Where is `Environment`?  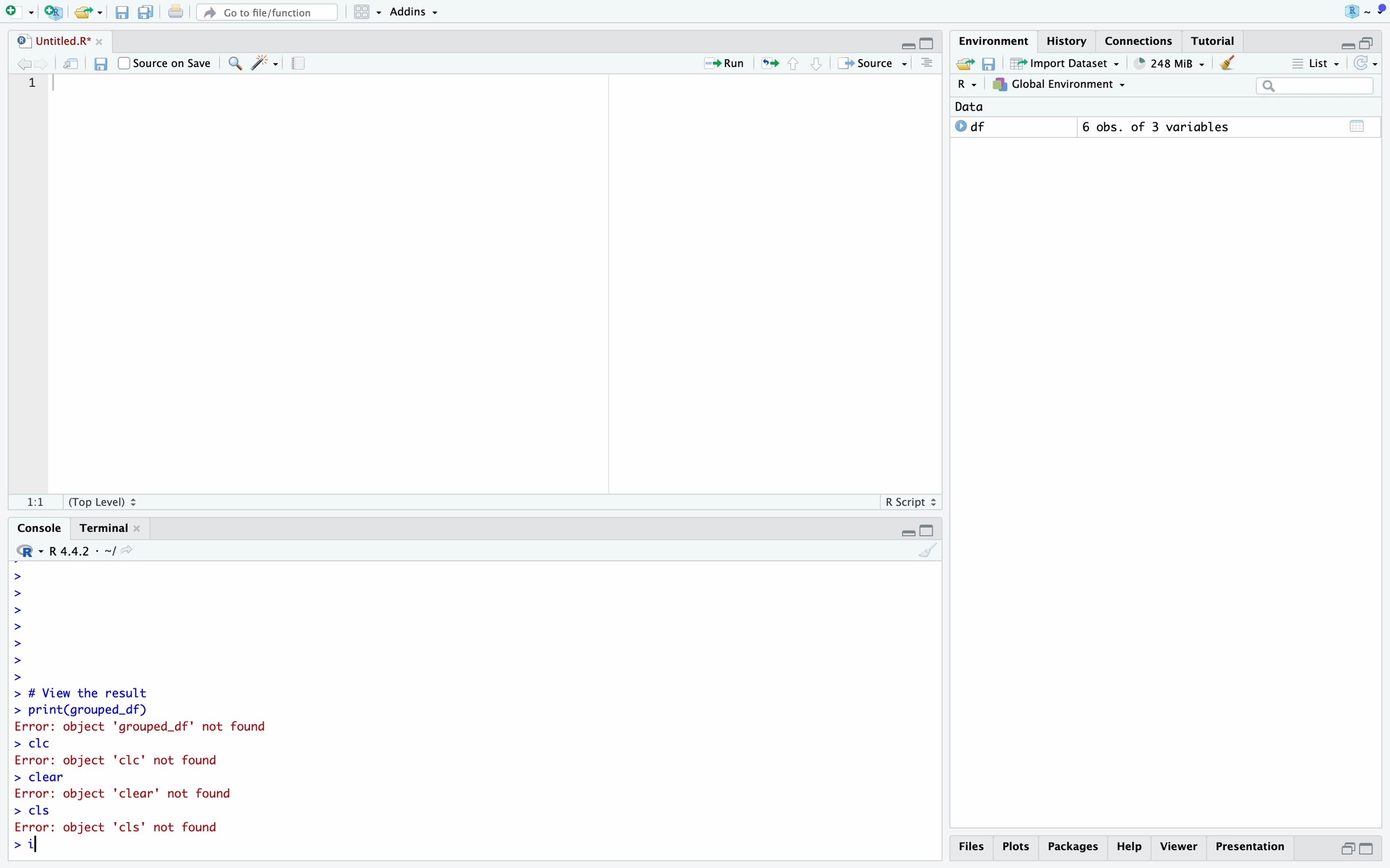
Environment is located at coordinates (994, 40).